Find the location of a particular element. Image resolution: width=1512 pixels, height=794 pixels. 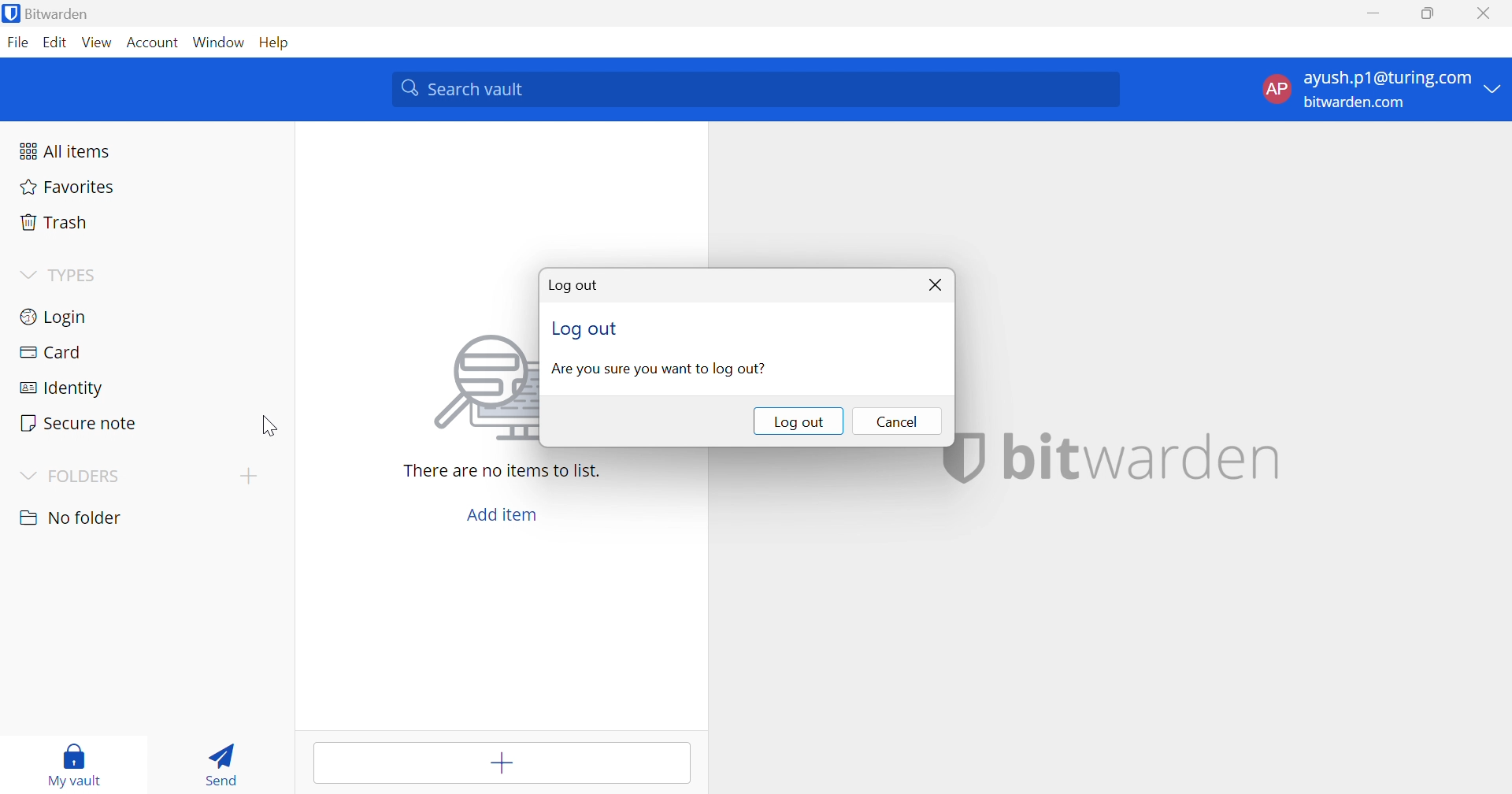

Bitwarden is located at coordinates (50, 14).